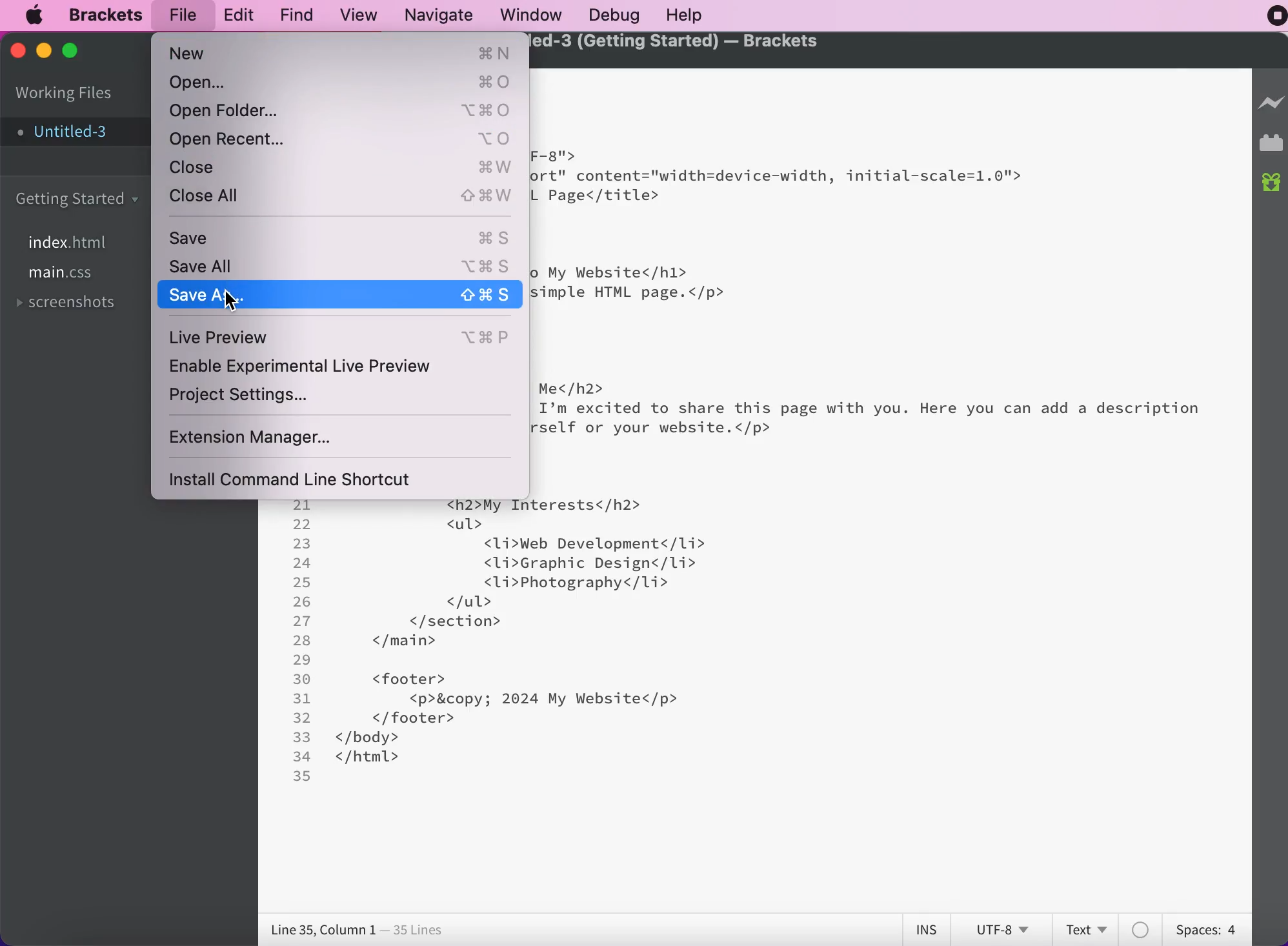 The width and height of the screenshot is (1288, 946). I want to click on 29, so click(302, 660).